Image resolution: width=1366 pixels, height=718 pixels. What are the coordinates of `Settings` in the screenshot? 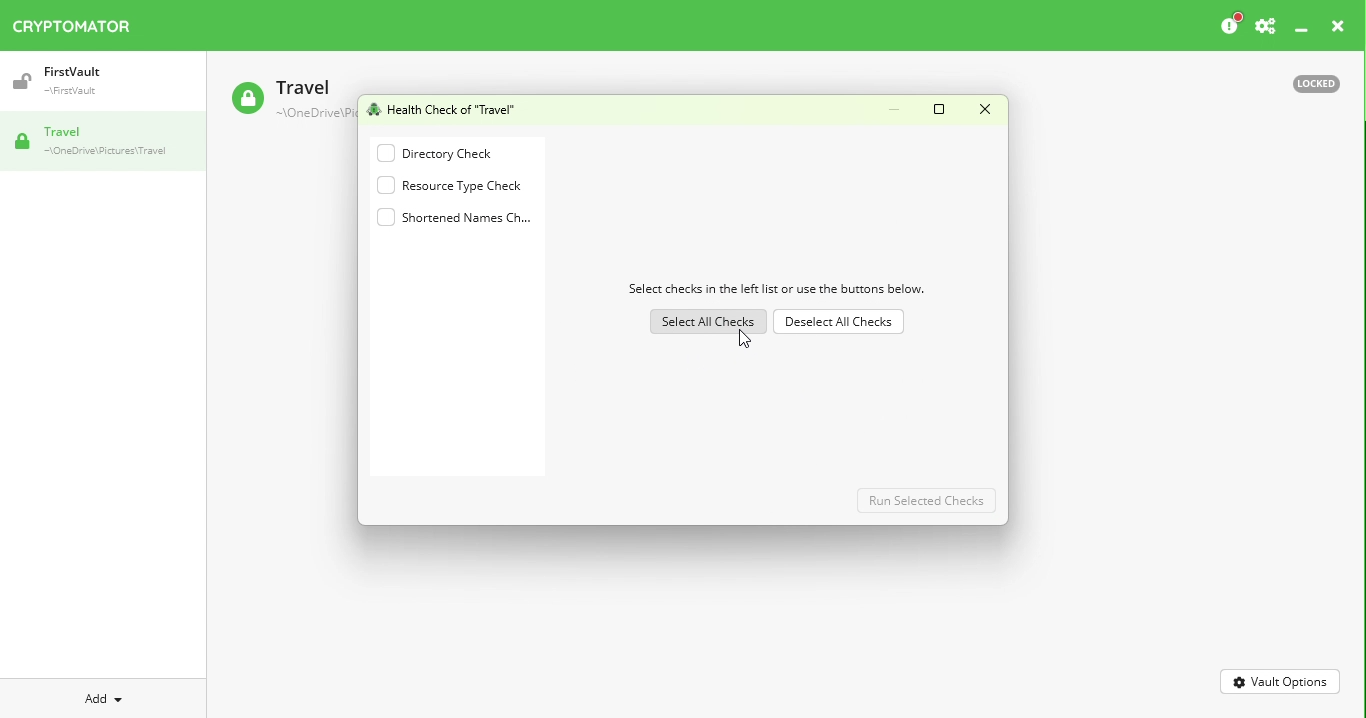 It's located at (1267, 26).